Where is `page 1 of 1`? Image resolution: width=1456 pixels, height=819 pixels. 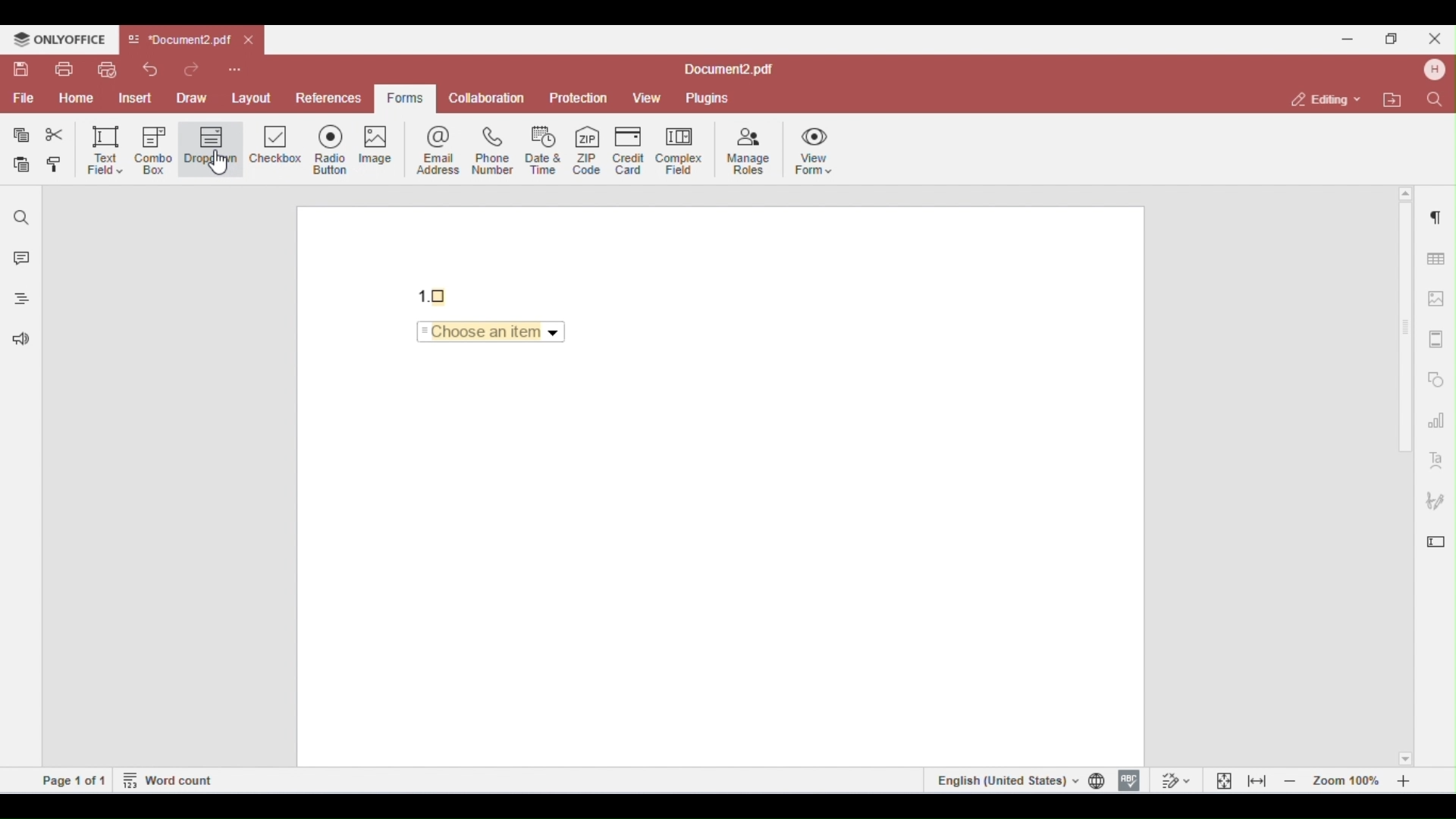
page 1 of 1 is located at coordinates (74, 780).